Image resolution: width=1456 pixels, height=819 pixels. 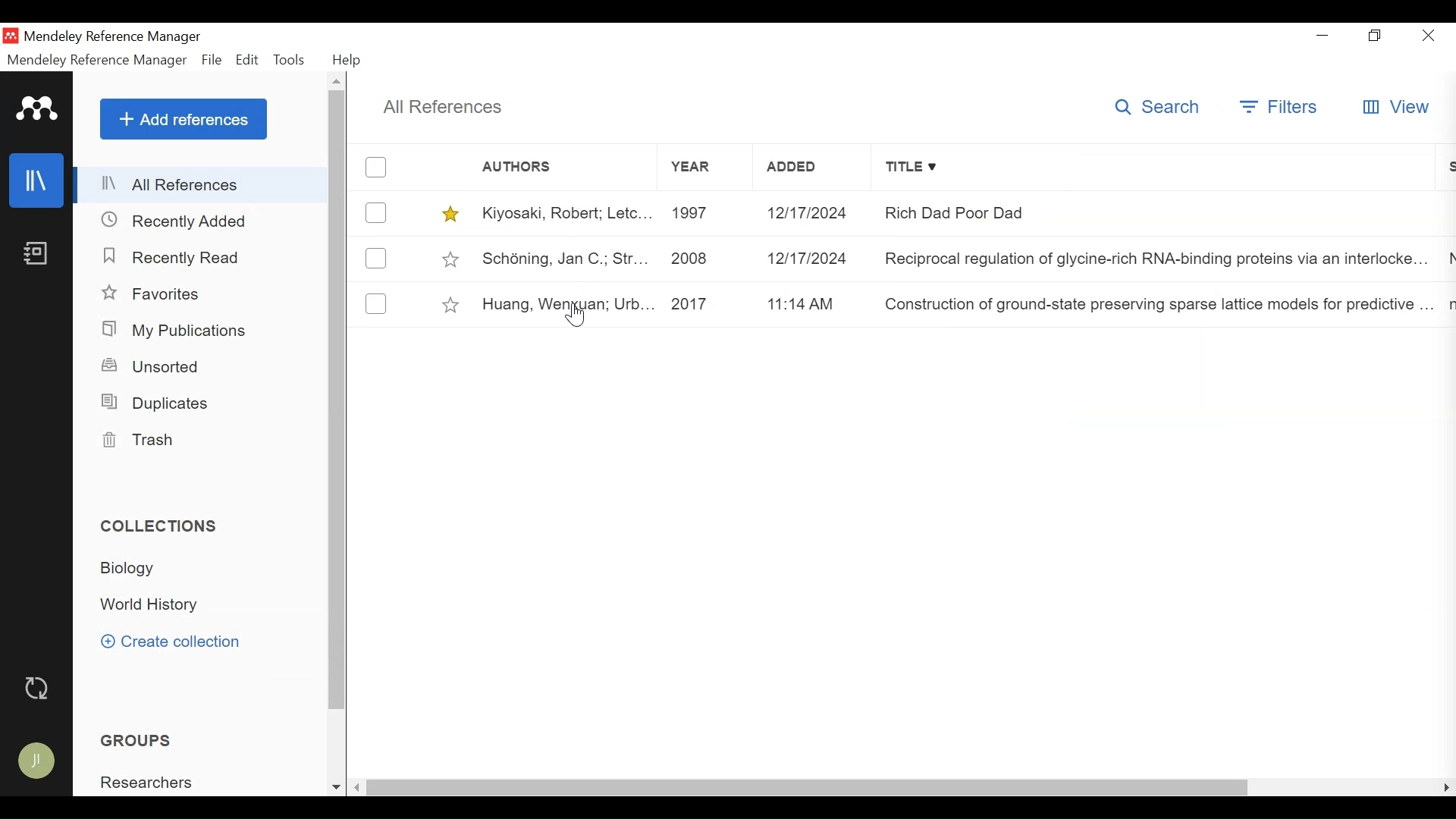 I want to click on Add Reference, so click(x=184, y=119).